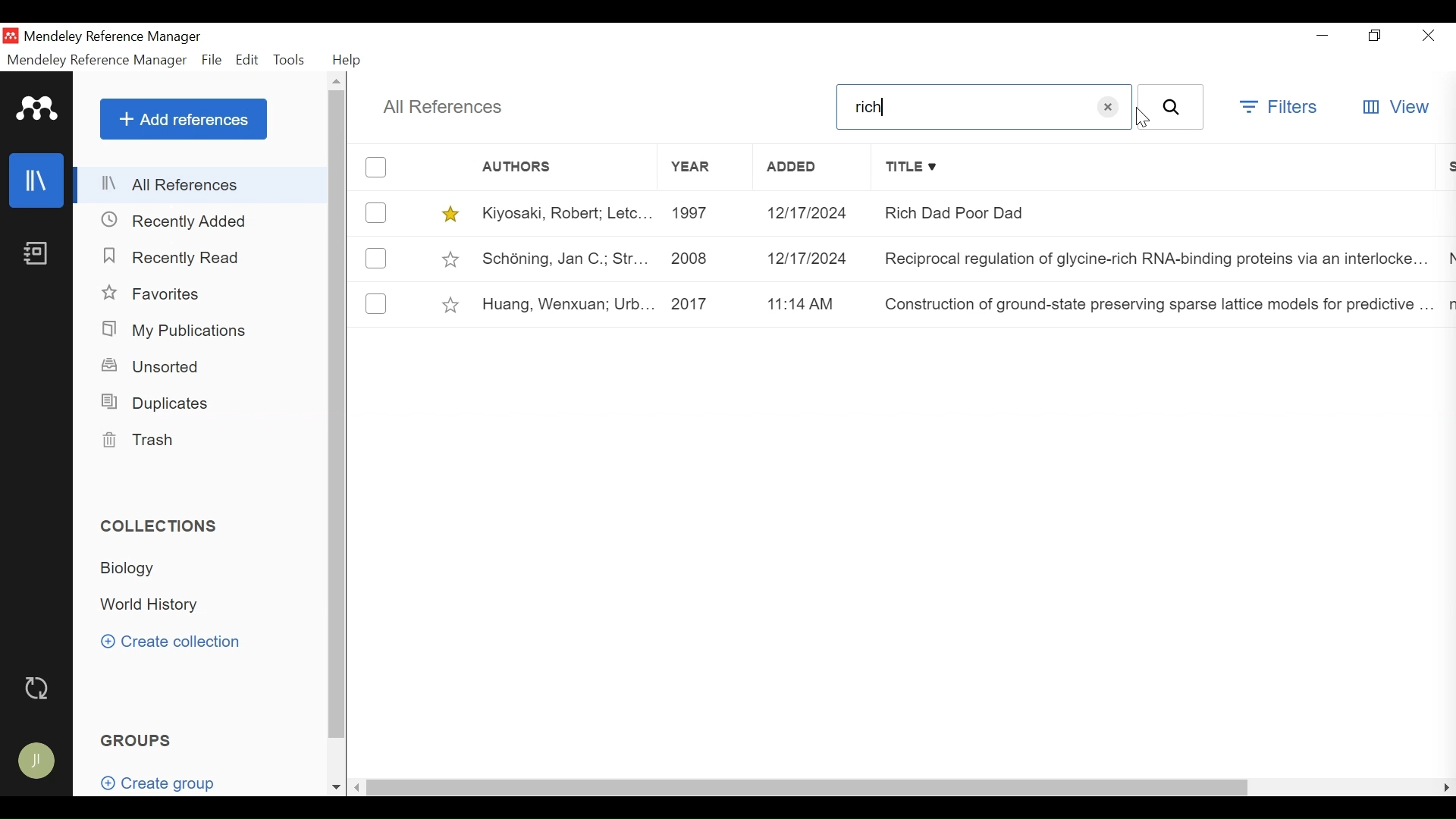 This screenshot has height=819, width=1456. What do you see at coordinates (11, 36) in the screenshot?
I see `Mendeley Desktop Icon` at bounding box center [11, 36].